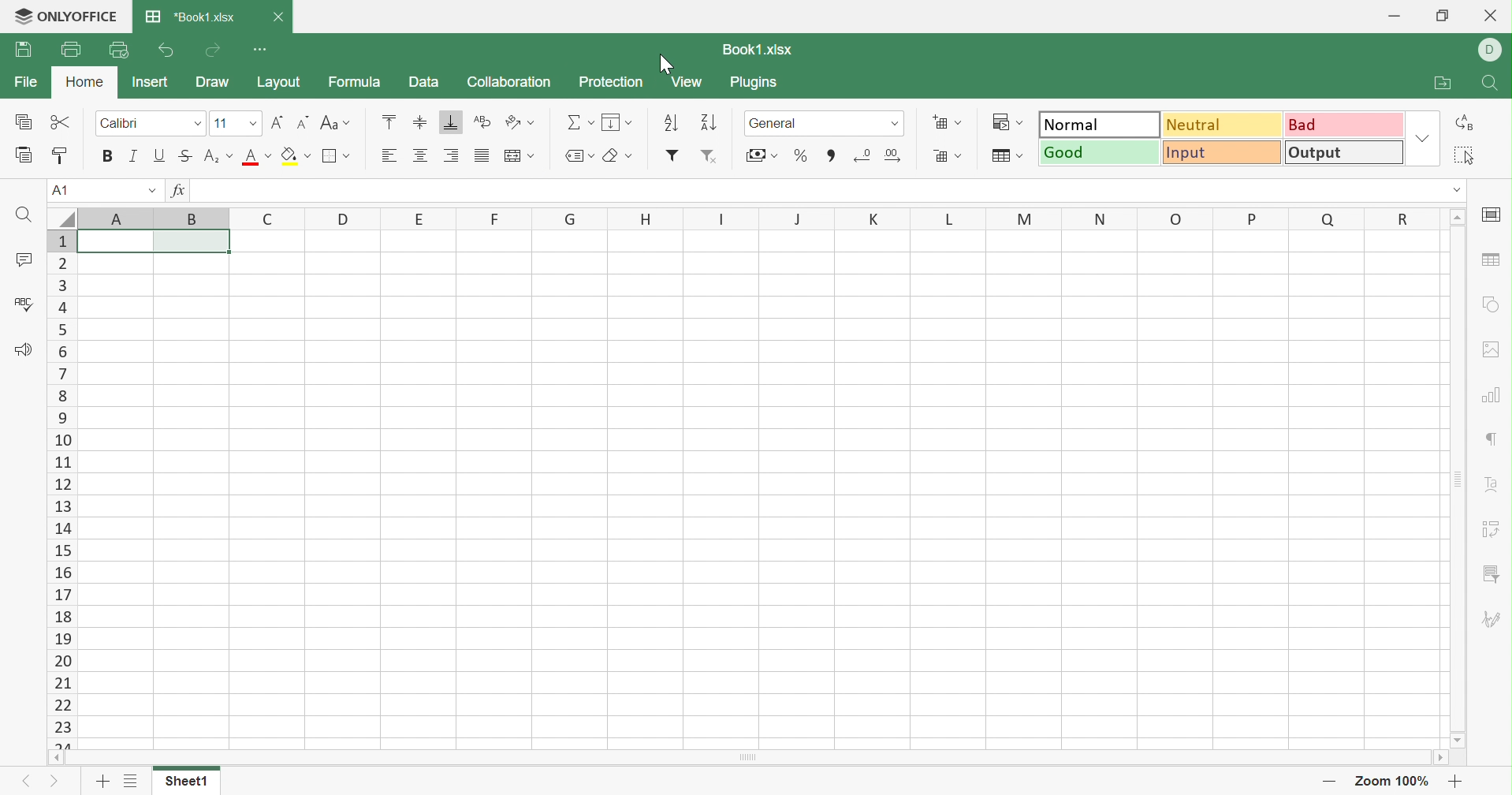 The width and height of the screenshot is (1512, 795). What do you see at coordinates (510, 85) in the screenshot?
I see `Collaboration` at bounding box center [510, 85].